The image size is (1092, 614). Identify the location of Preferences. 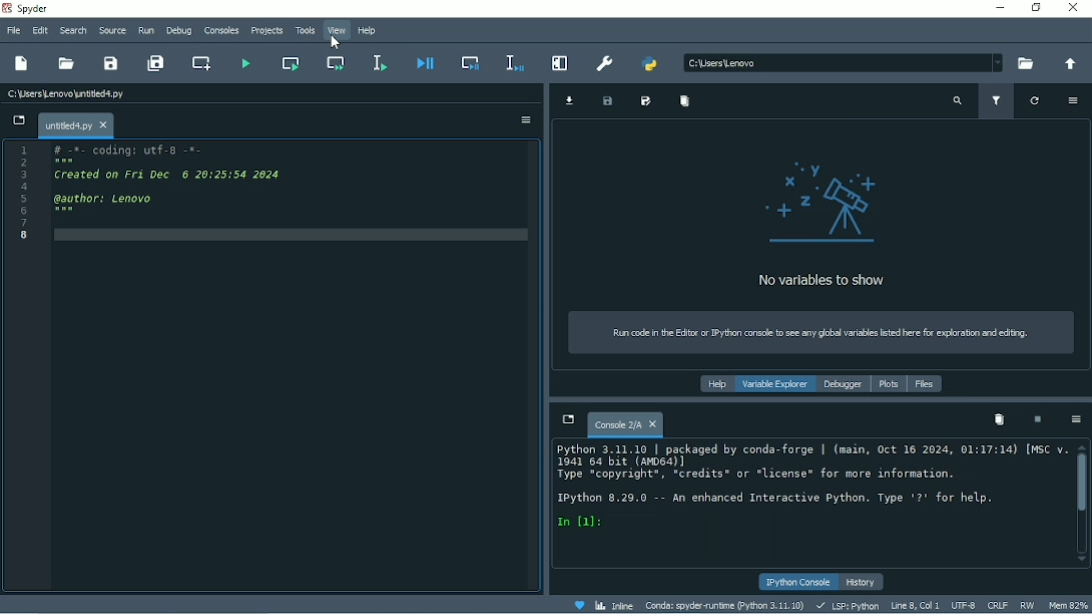
(606, 62).